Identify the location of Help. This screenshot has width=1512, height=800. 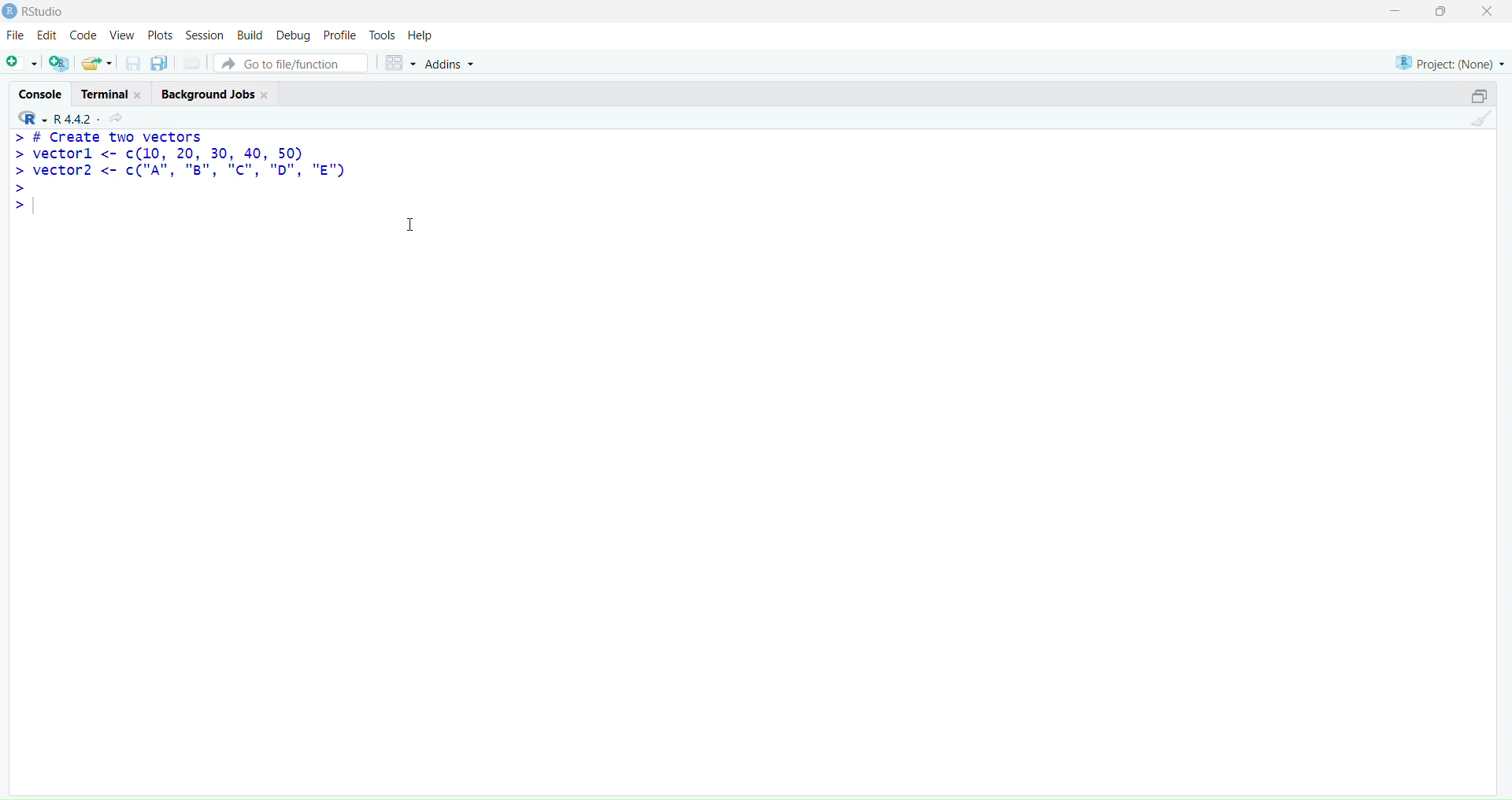
(421, 35).